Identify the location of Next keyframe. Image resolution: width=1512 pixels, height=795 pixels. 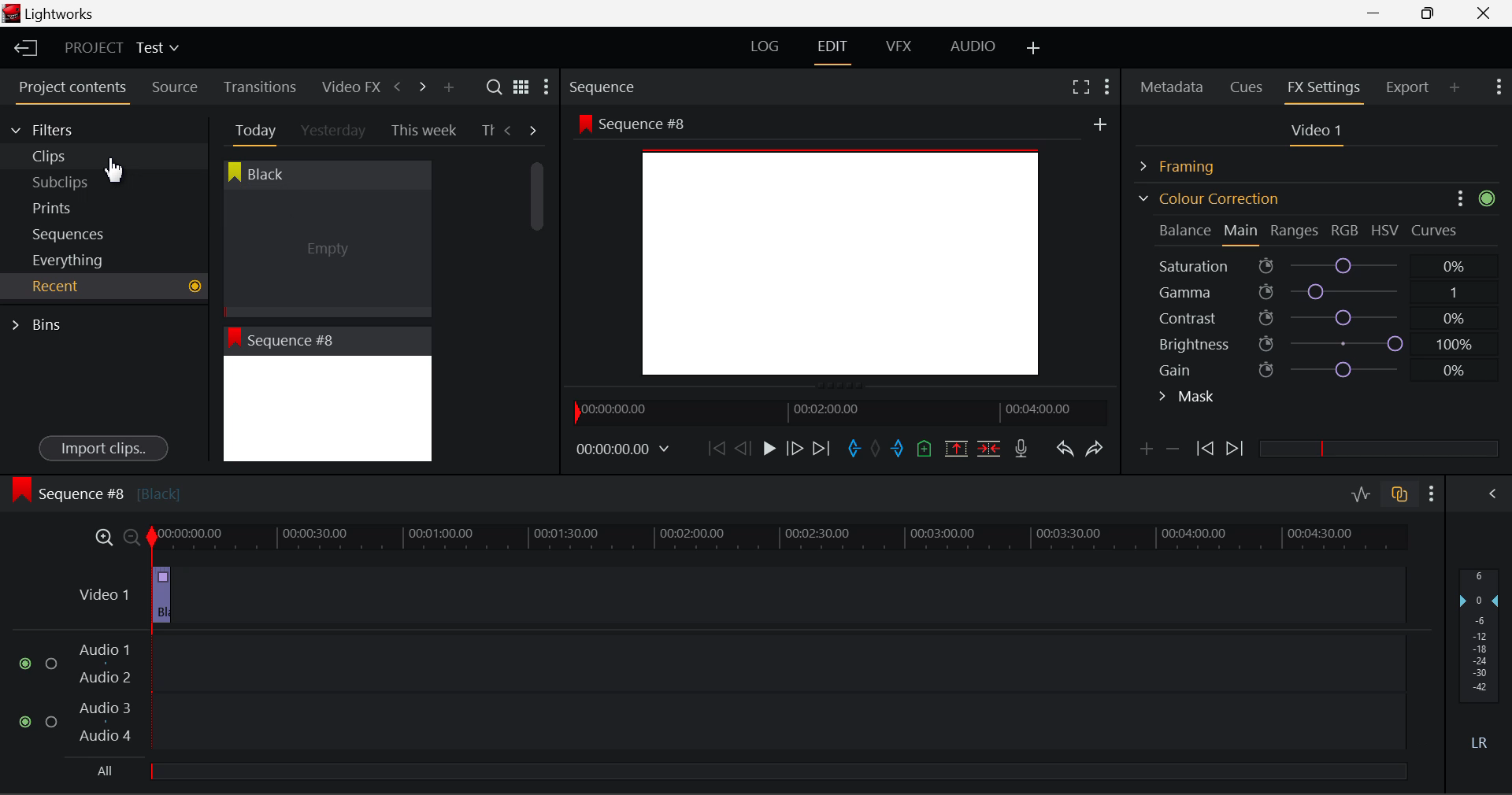
(1236, 449).